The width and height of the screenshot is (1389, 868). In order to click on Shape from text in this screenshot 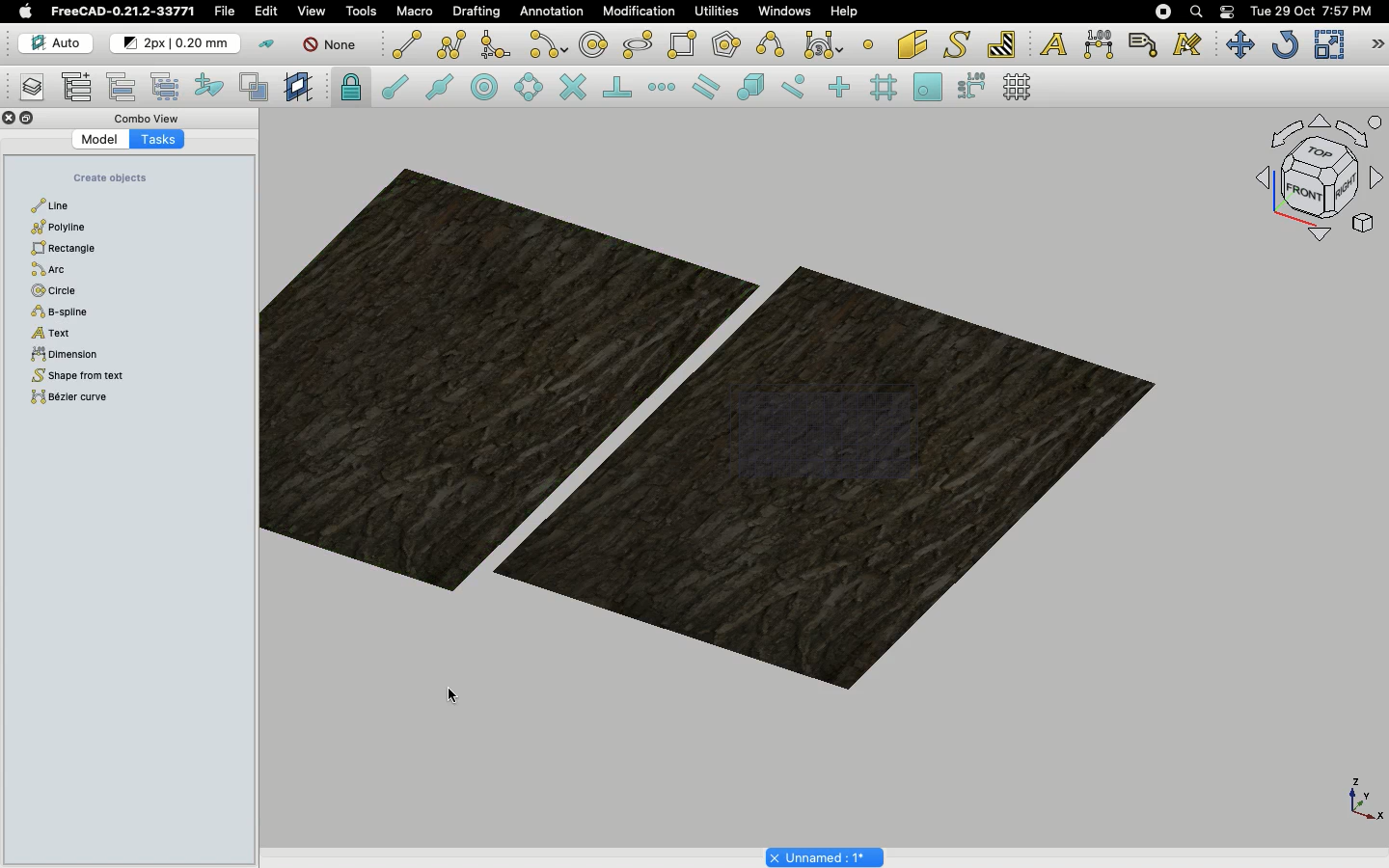, I will do `click(960, 46)`.